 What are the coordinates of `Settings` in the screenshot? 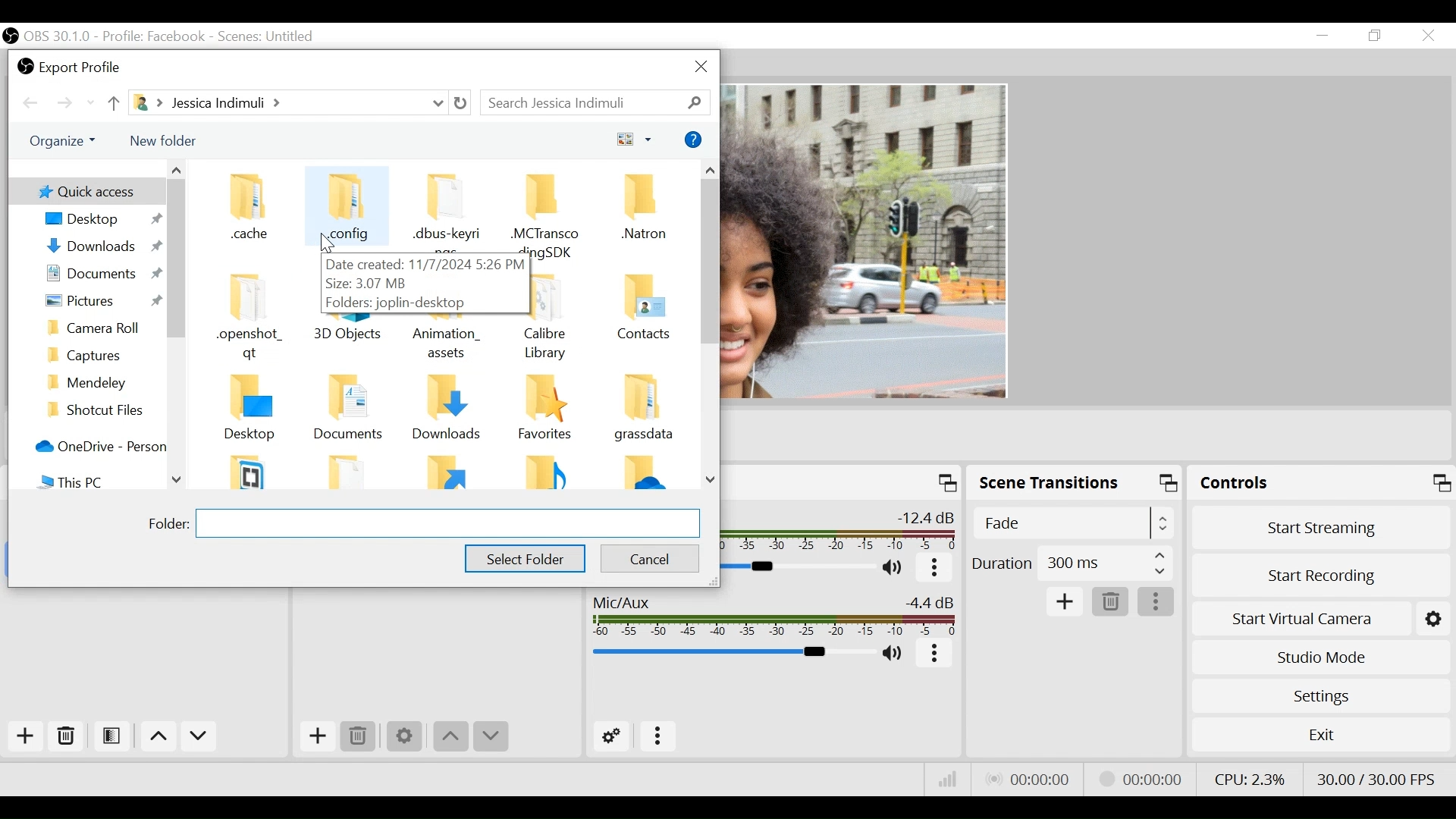 It's located at (406, 738).